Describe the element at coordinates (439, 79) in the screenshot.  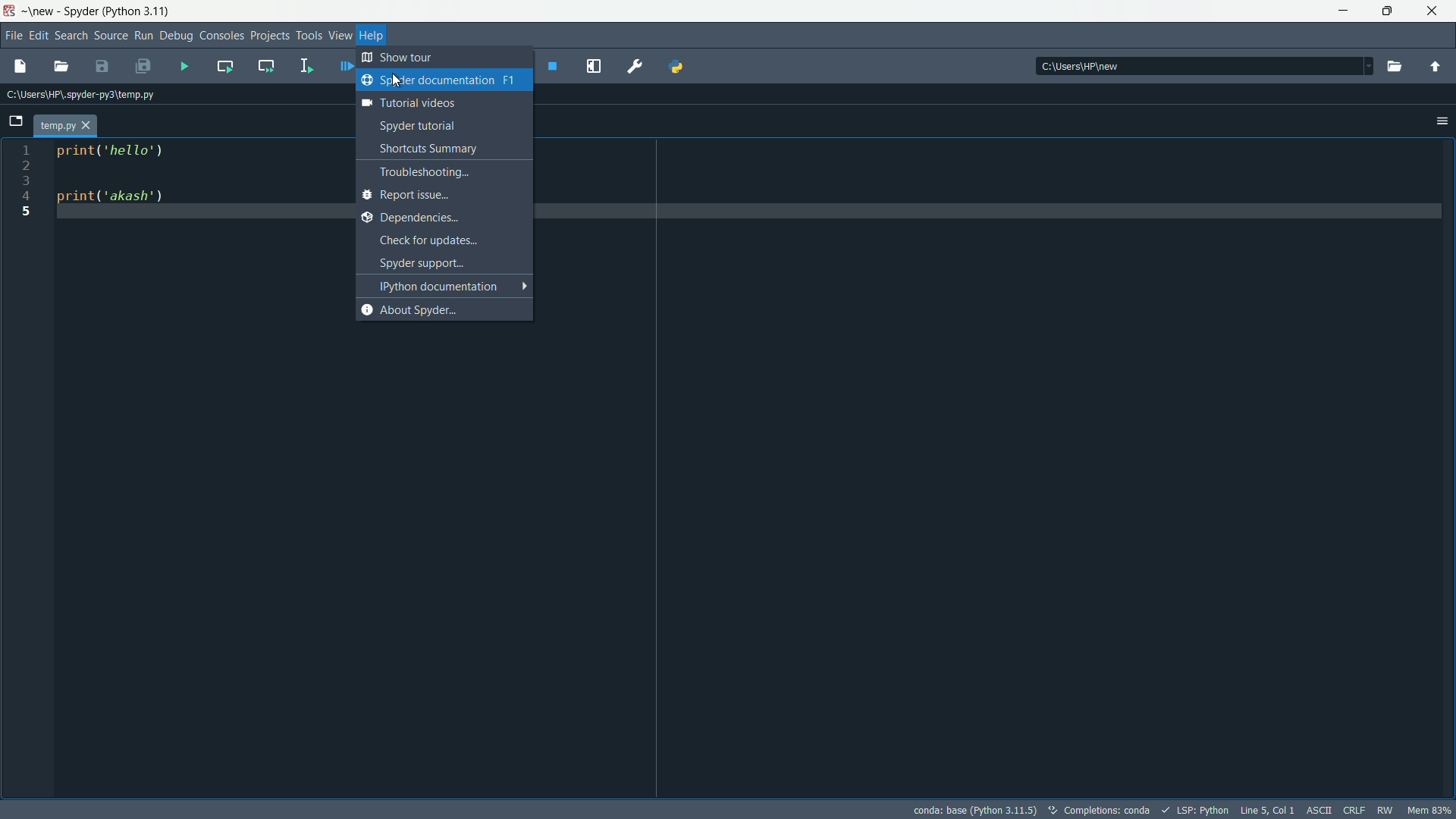
I see `spyder documentation` at that location.